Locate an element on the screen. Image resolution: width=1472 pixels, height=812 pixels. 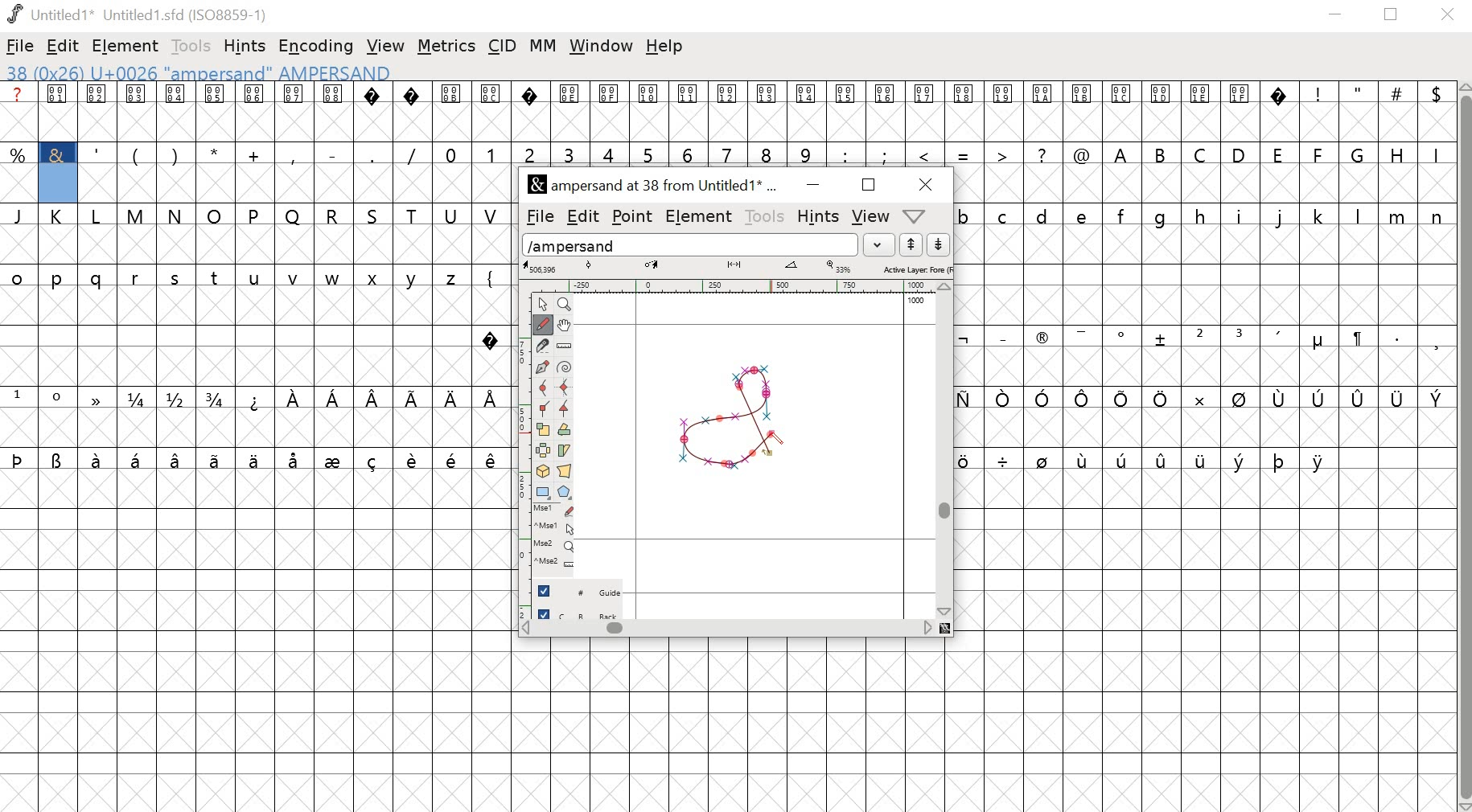
symbol is located at coordinates (1359, 399).